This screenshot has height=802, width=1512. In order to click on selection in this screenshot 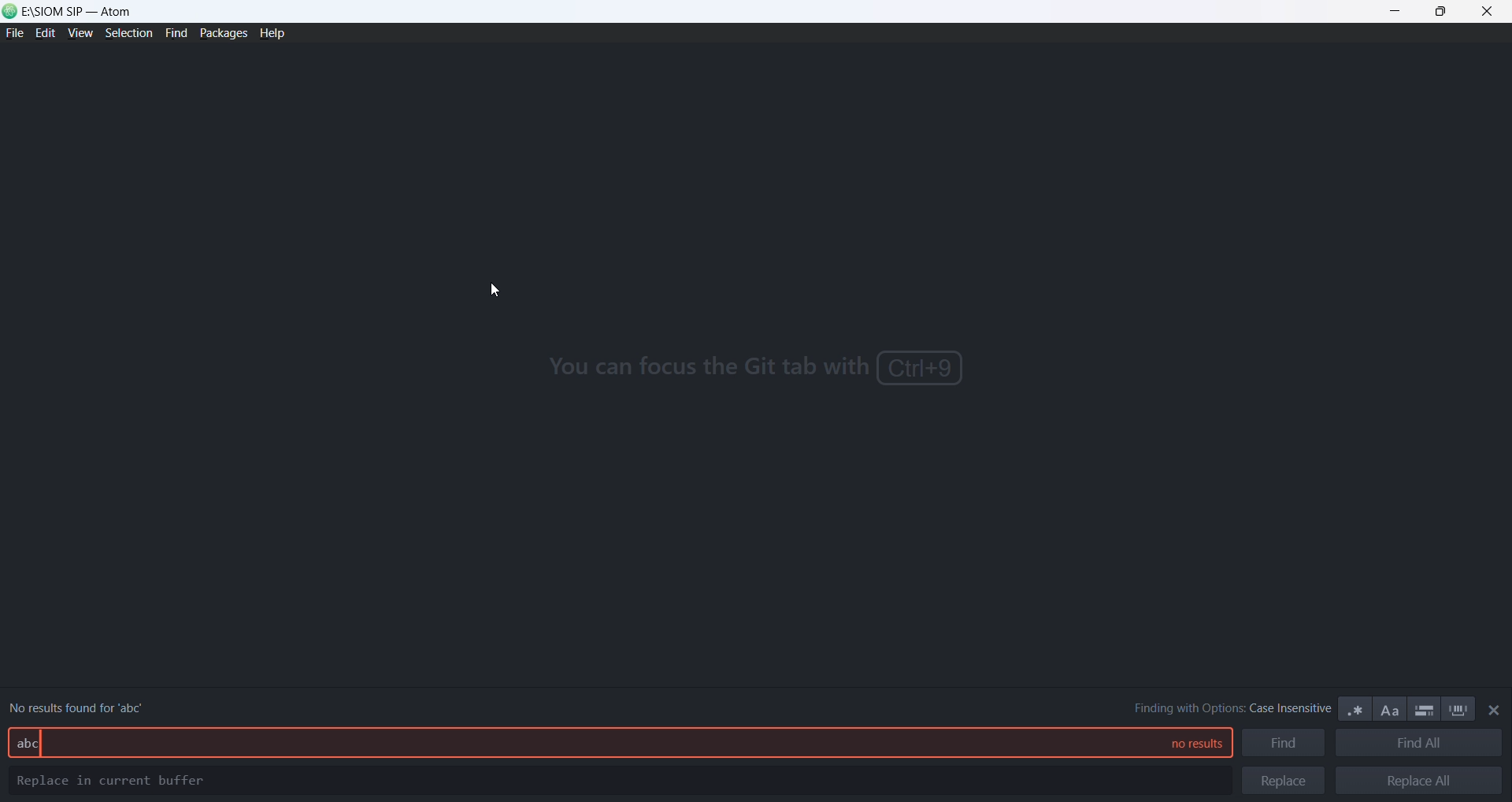, I will do `click(127, 35)`.